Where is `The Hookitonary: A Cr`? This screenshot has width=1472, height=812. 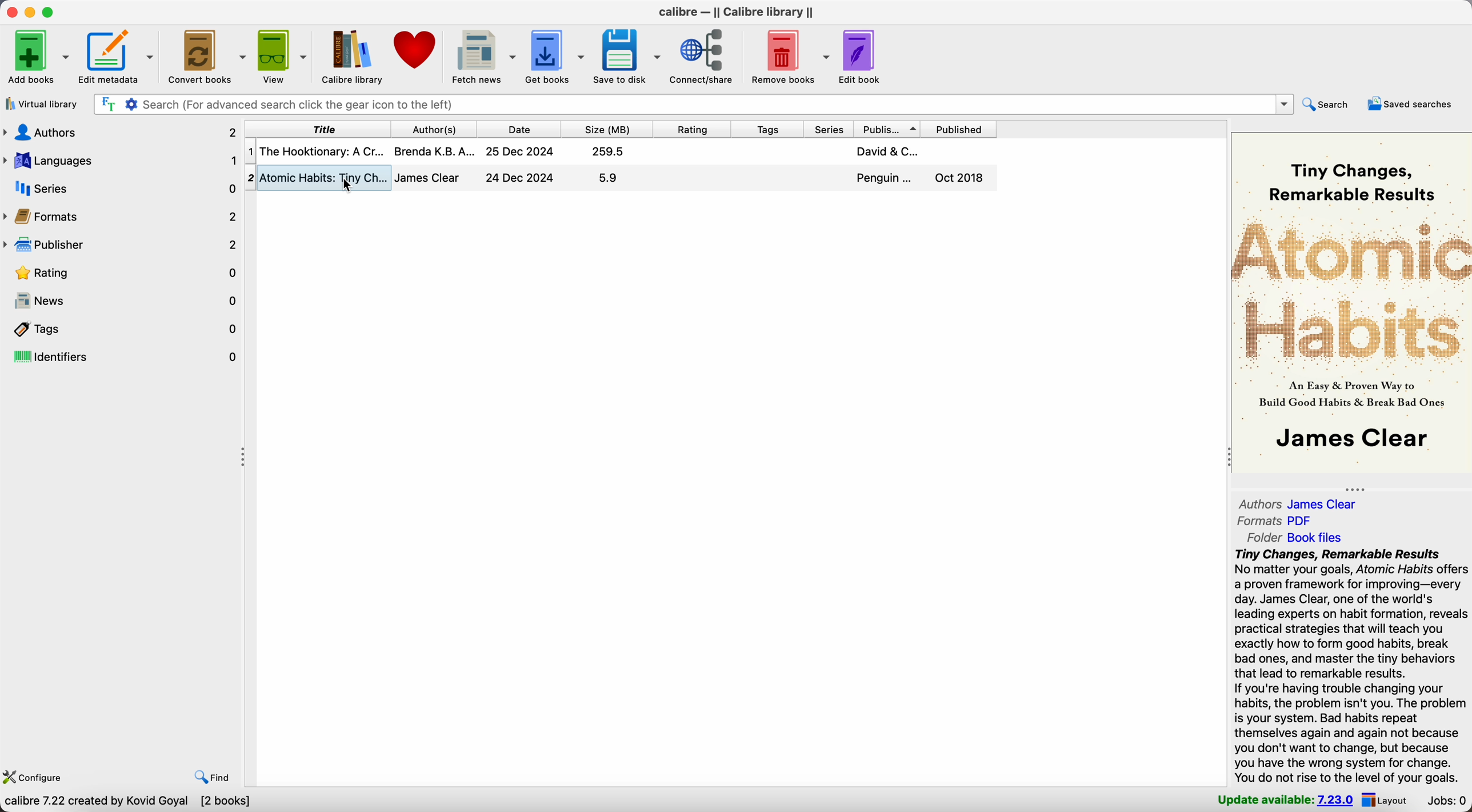
The Hookitonary: A Cr is located at coordinates (321, 151).